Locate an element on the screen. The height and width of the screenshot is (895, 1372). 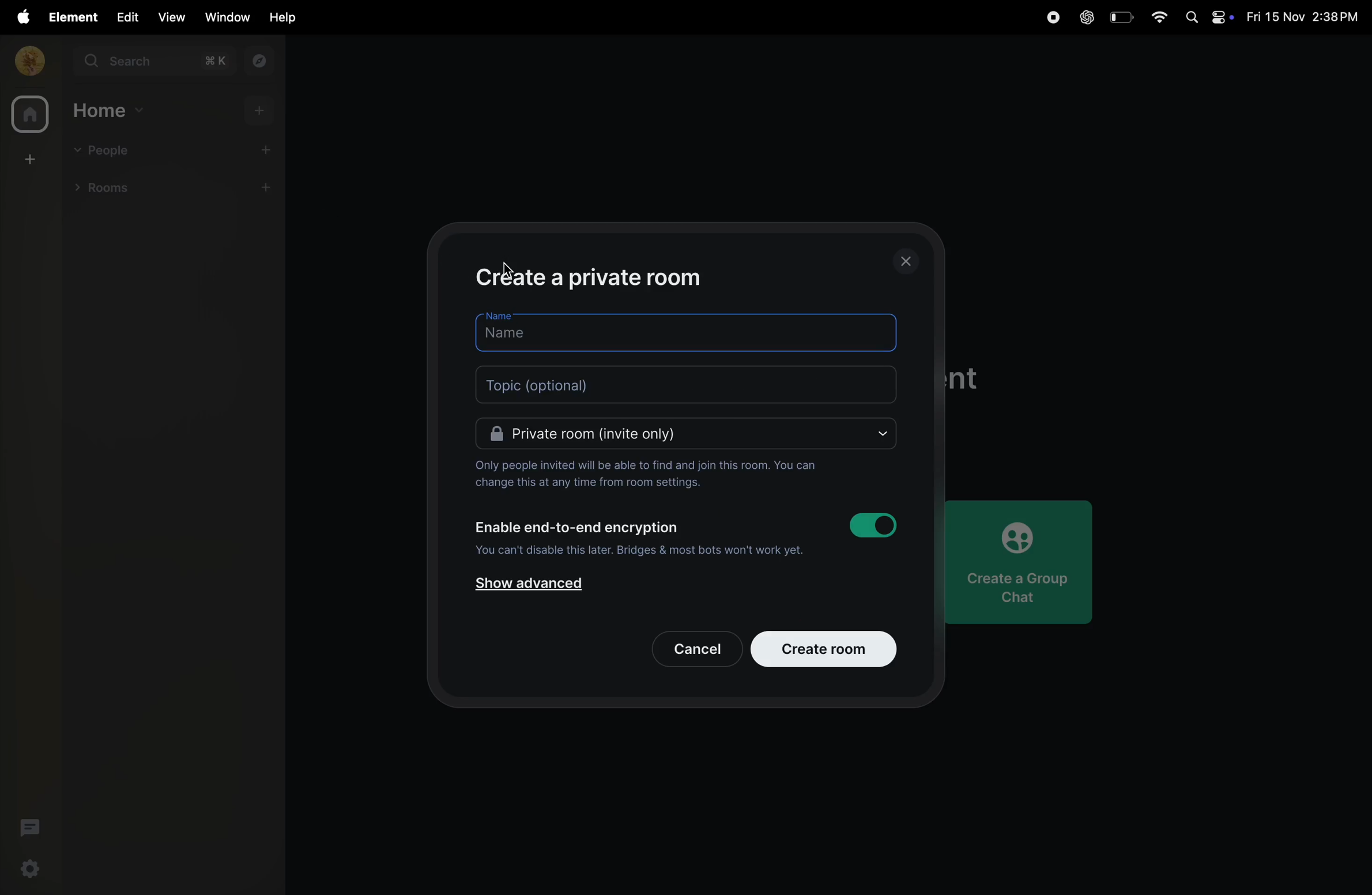
Private room(invite only) is located at coordinates (692, 434).